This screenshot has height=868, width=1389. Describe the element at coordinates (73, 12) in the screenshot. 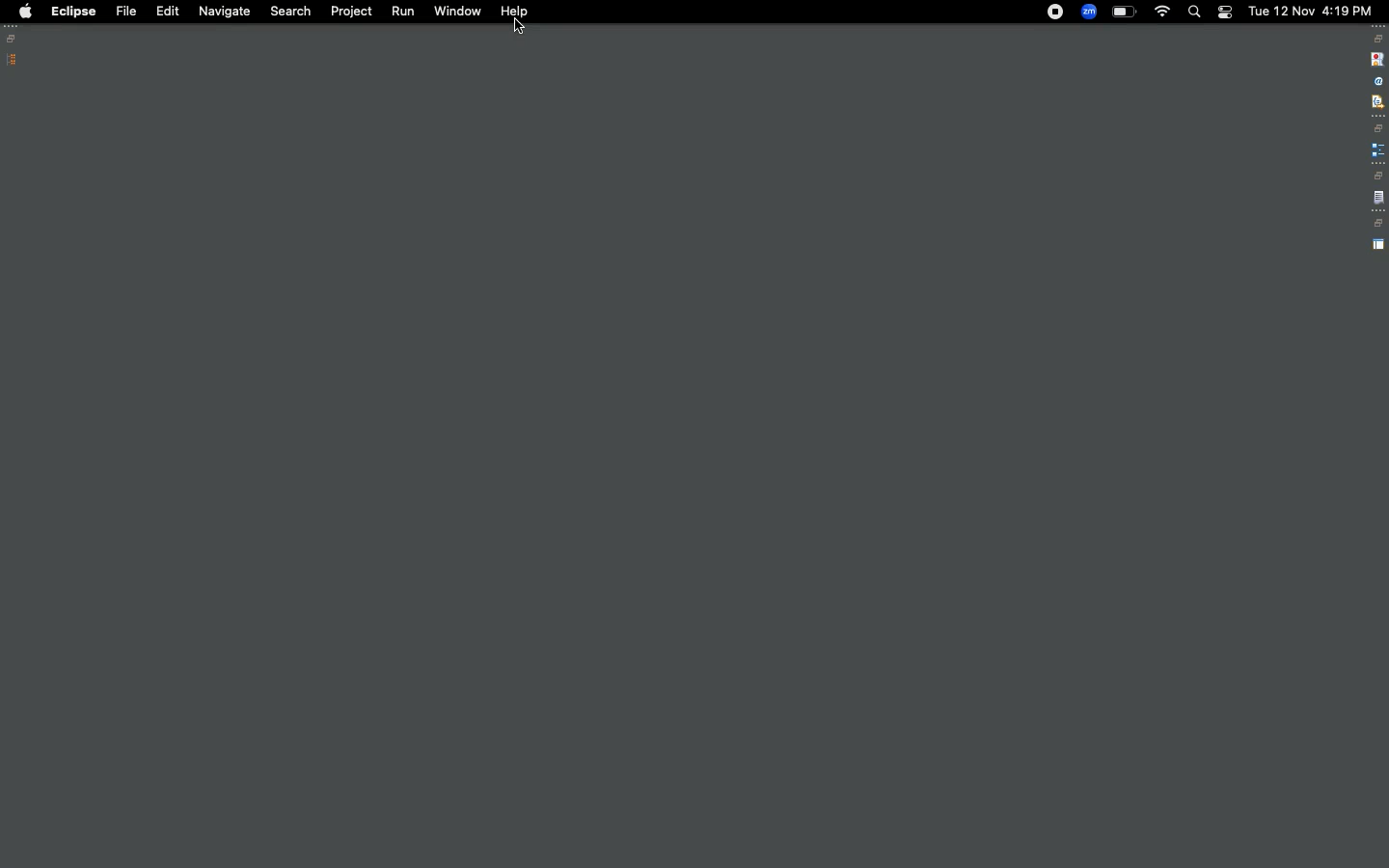

I see `Eclipse` at that location.